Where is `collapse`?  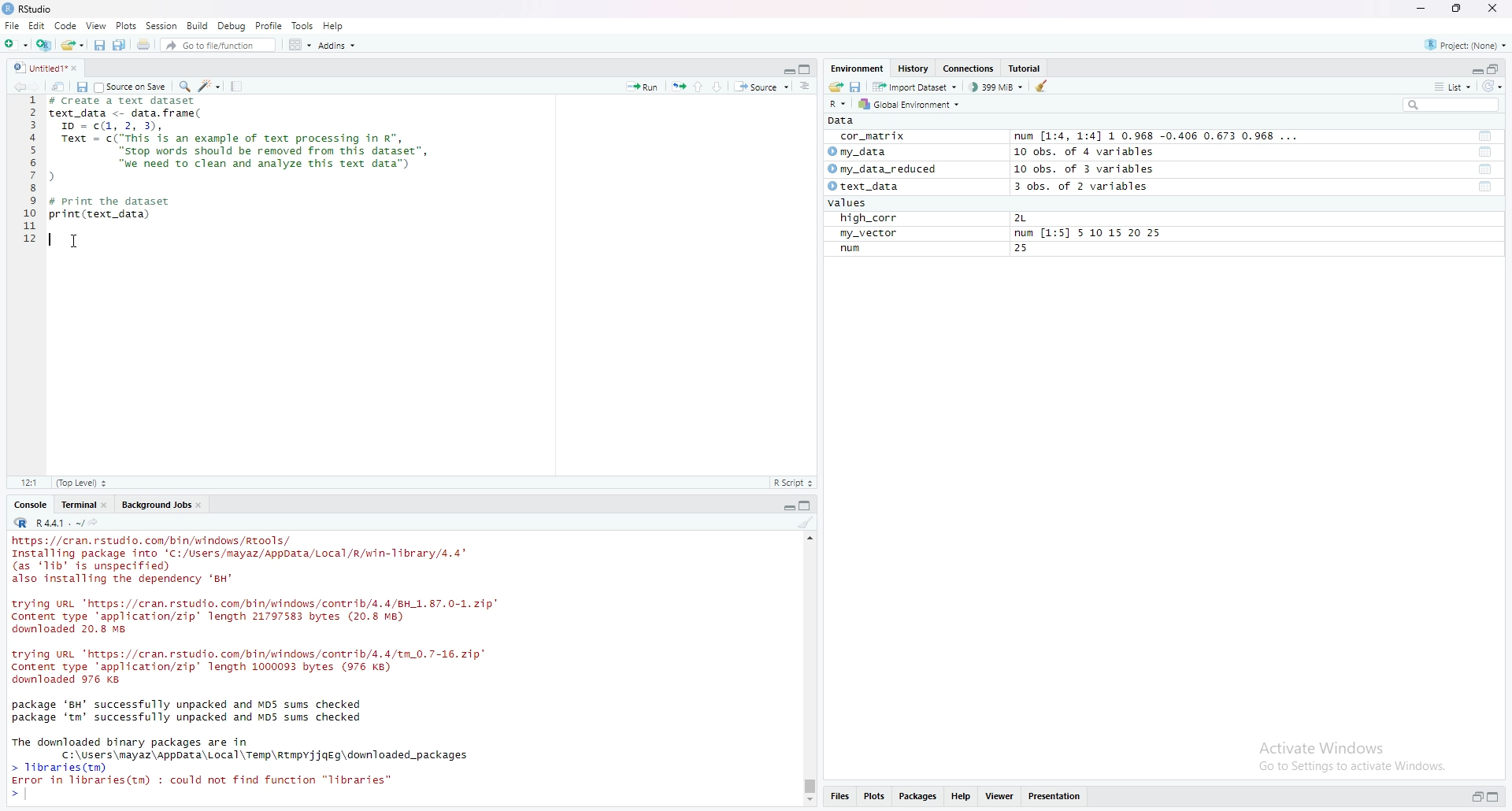 collapse is located at coordinates (806, 71).